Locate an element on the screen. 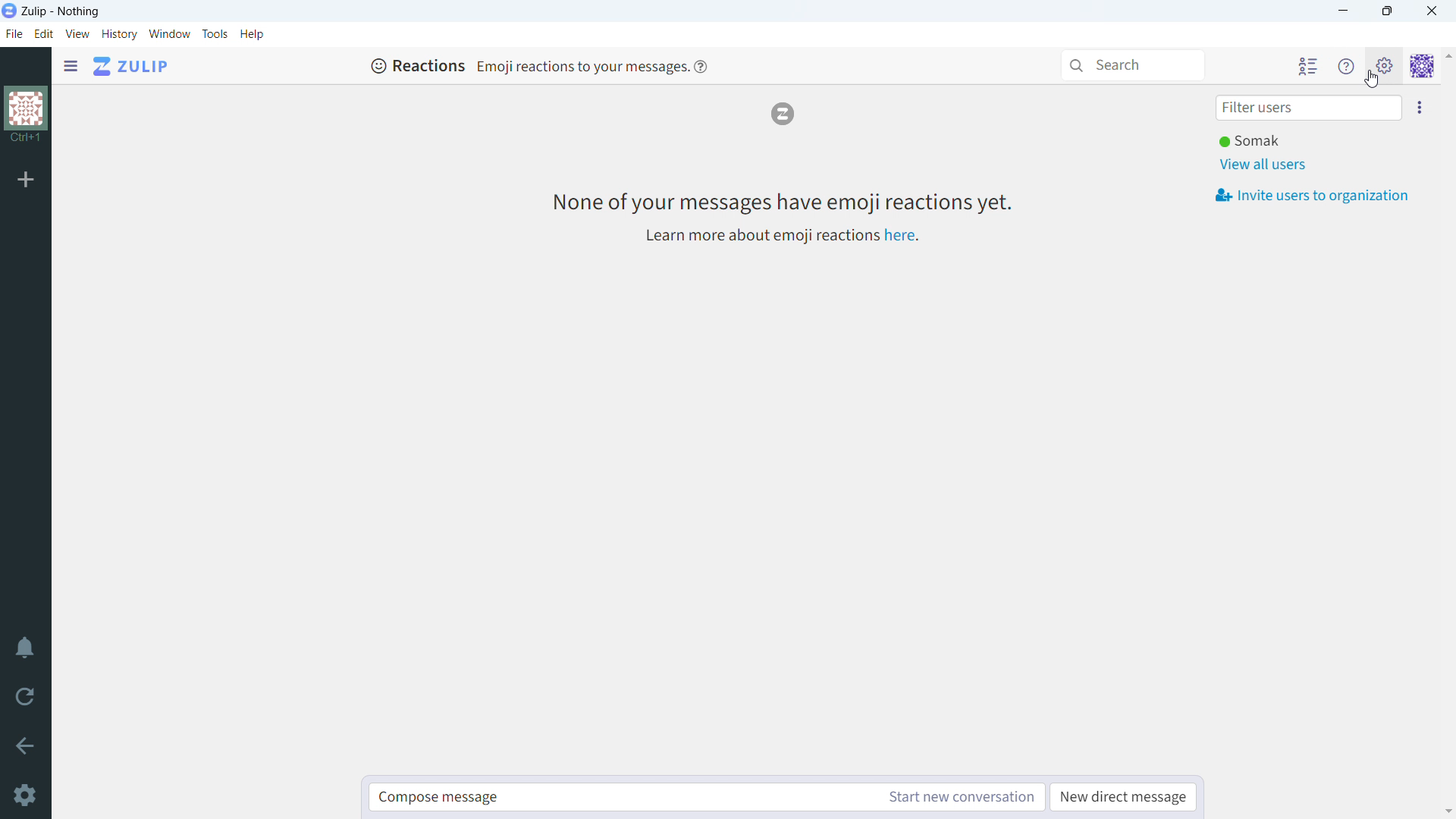 This screenshot has width=1456, height=819. minimize is located at coordinates (1345, 11).